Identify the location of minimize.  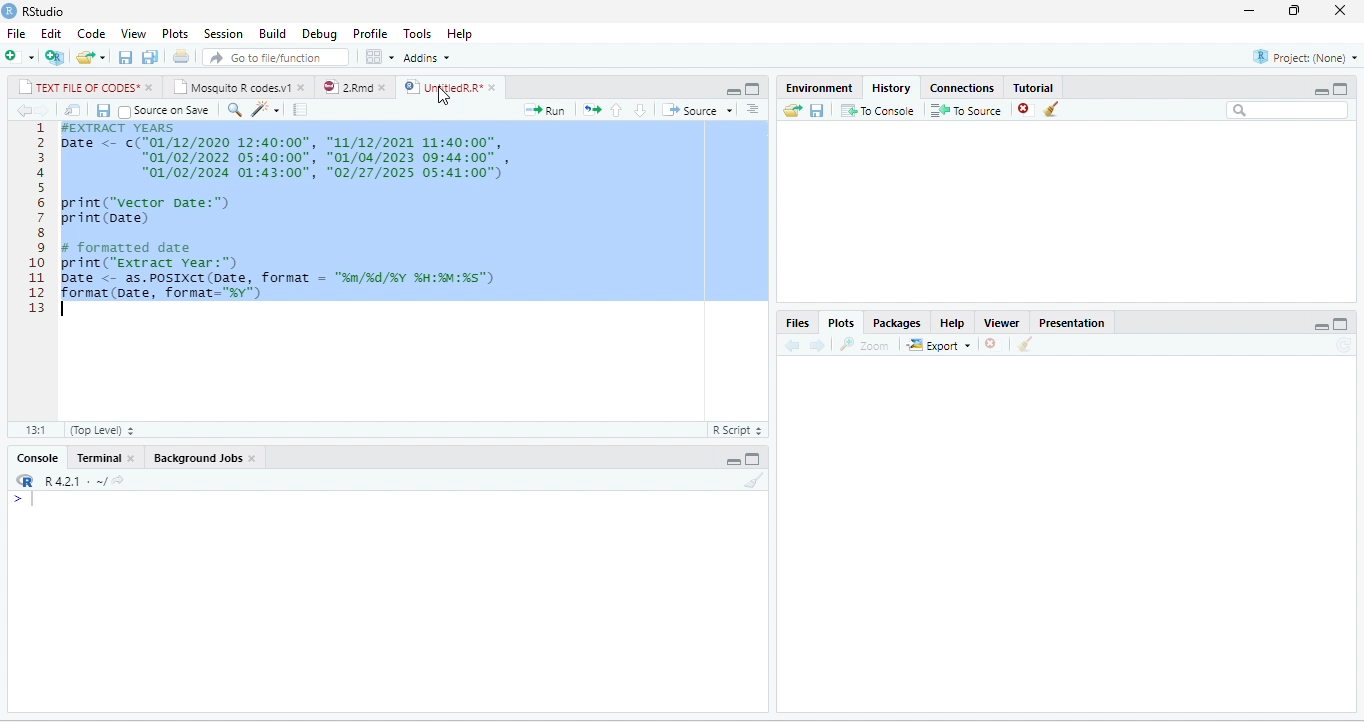
(733, 462).